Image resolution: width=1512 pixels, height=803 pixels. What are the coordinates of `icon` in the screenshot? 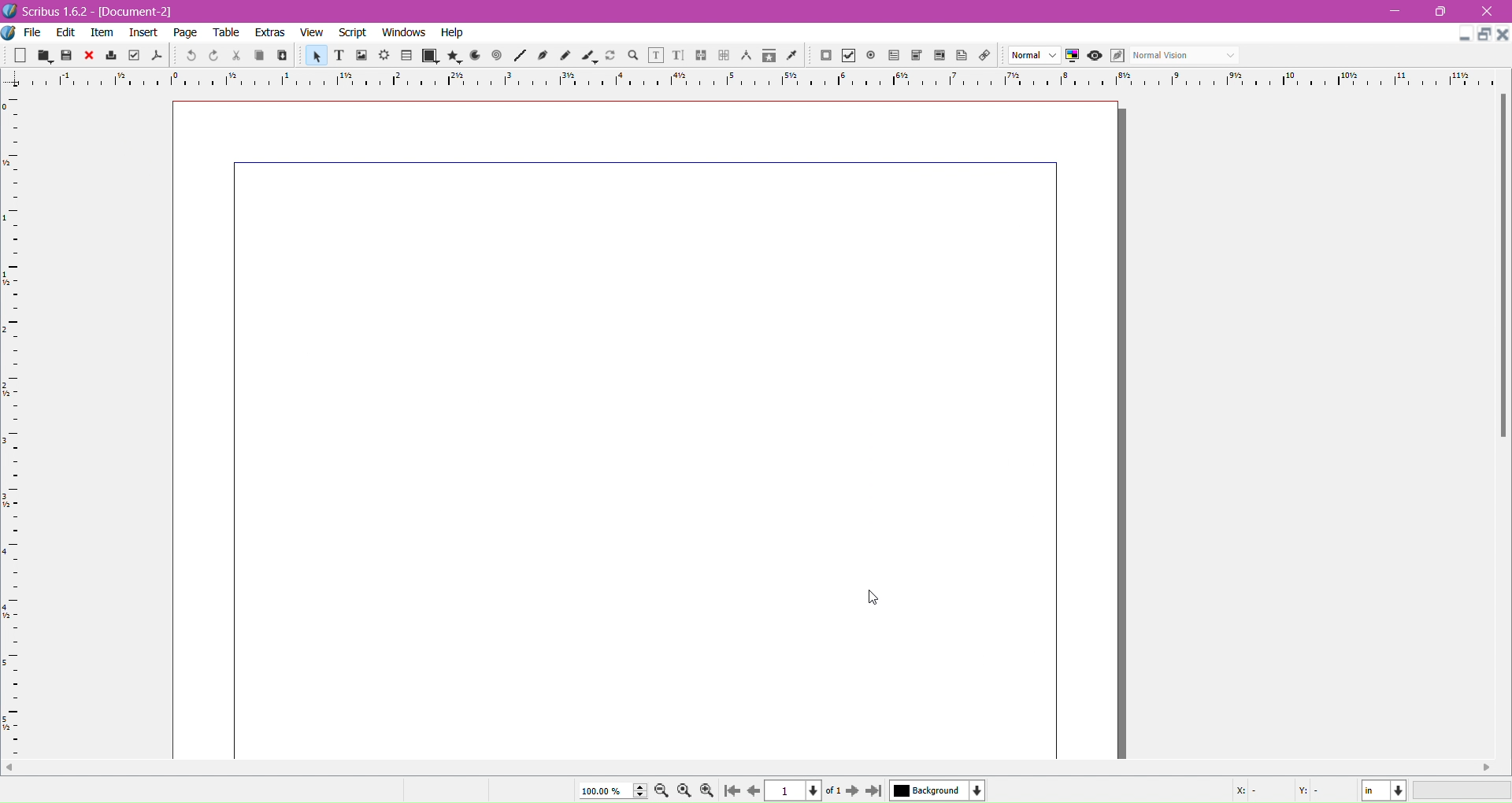 It's located at (383, 54).